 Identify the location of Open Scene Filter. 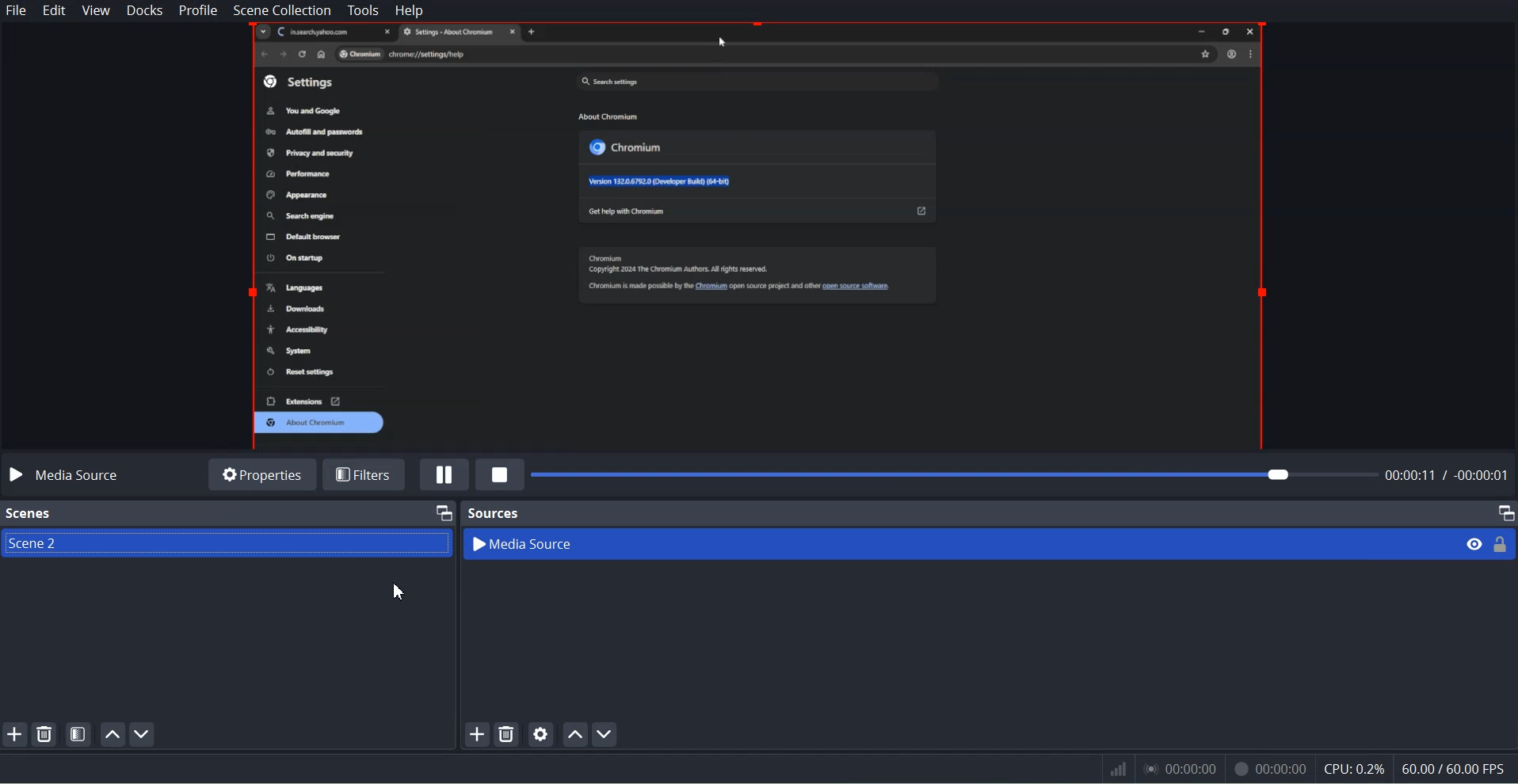
(79, 733).